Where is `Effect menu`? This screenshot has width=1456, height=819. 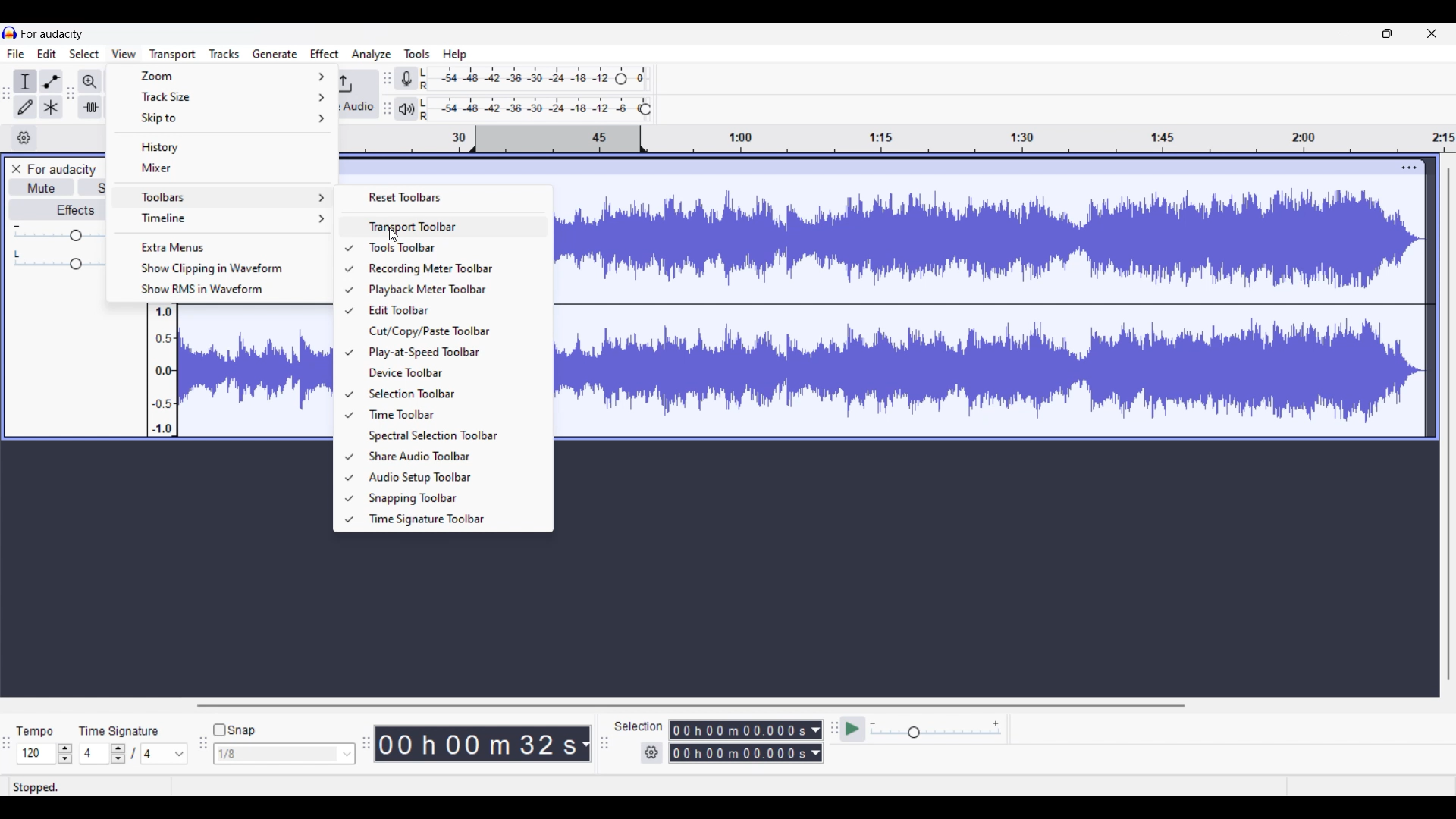 Effect menu is located at coordinates (325, 54).